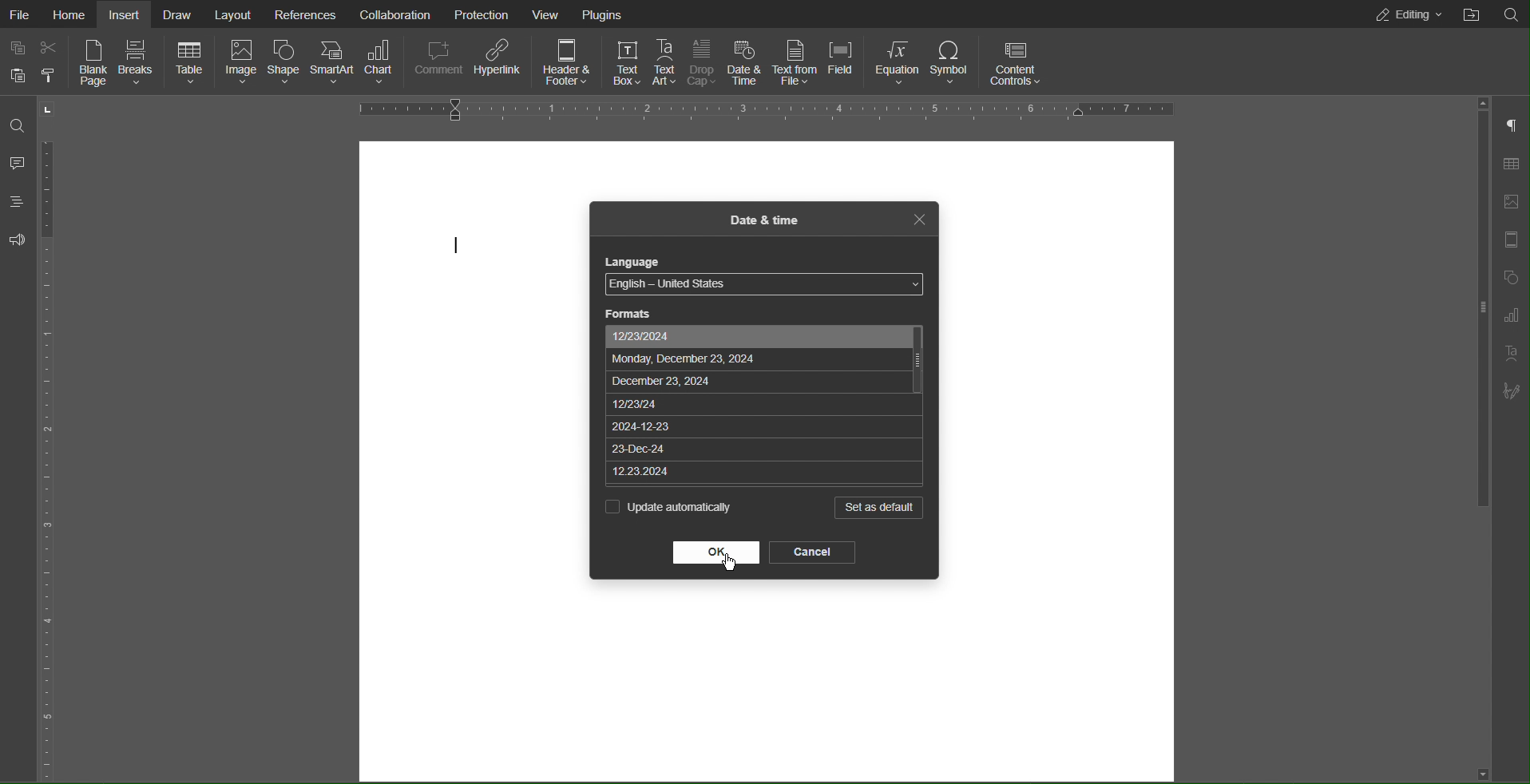  What do you see at coordinates (1406, 15) in the screenshot?
I see `Editing ` at bounding box center [1406, 15].